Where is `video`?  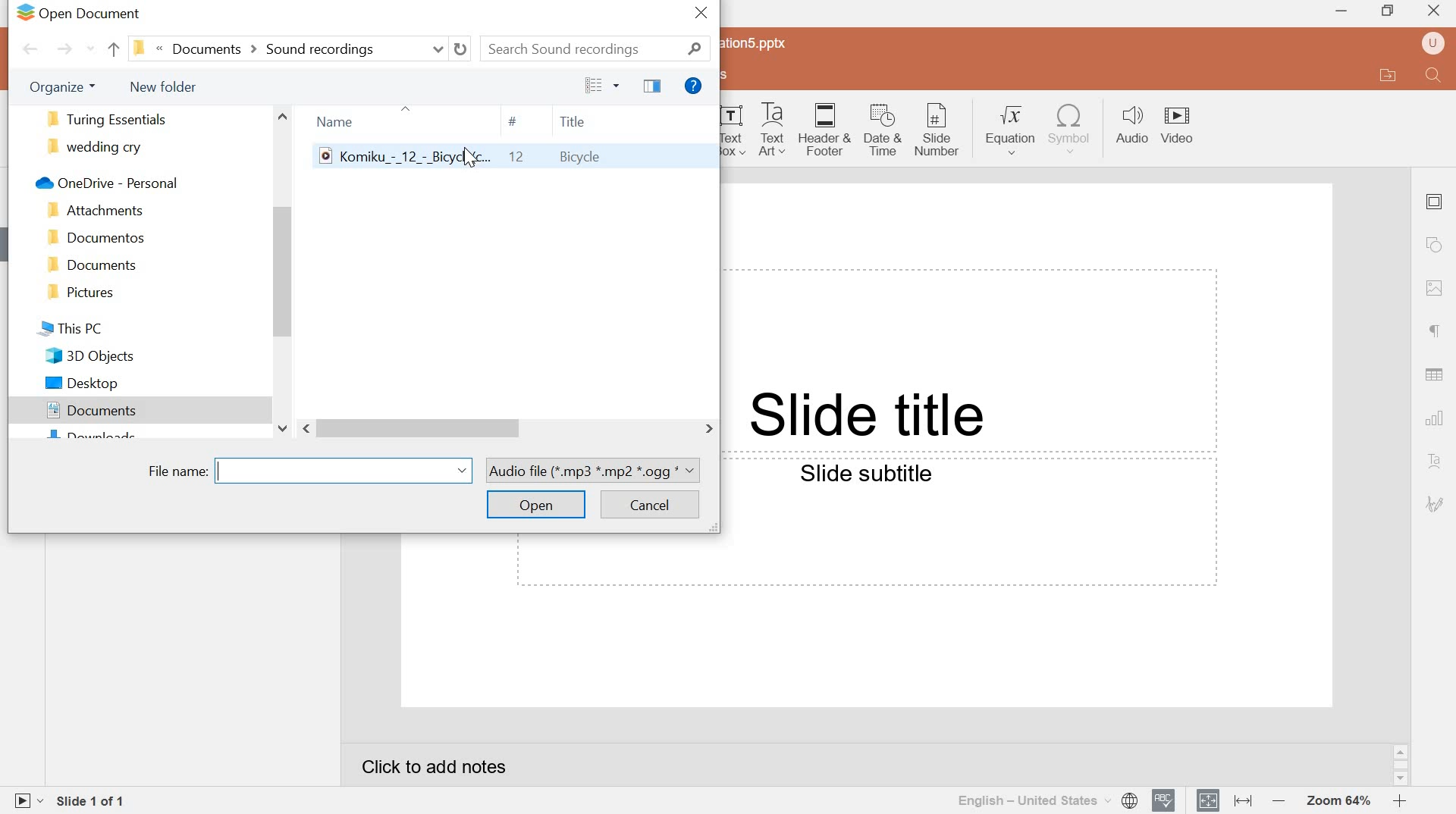
video is located at coordinates (1177, 138).